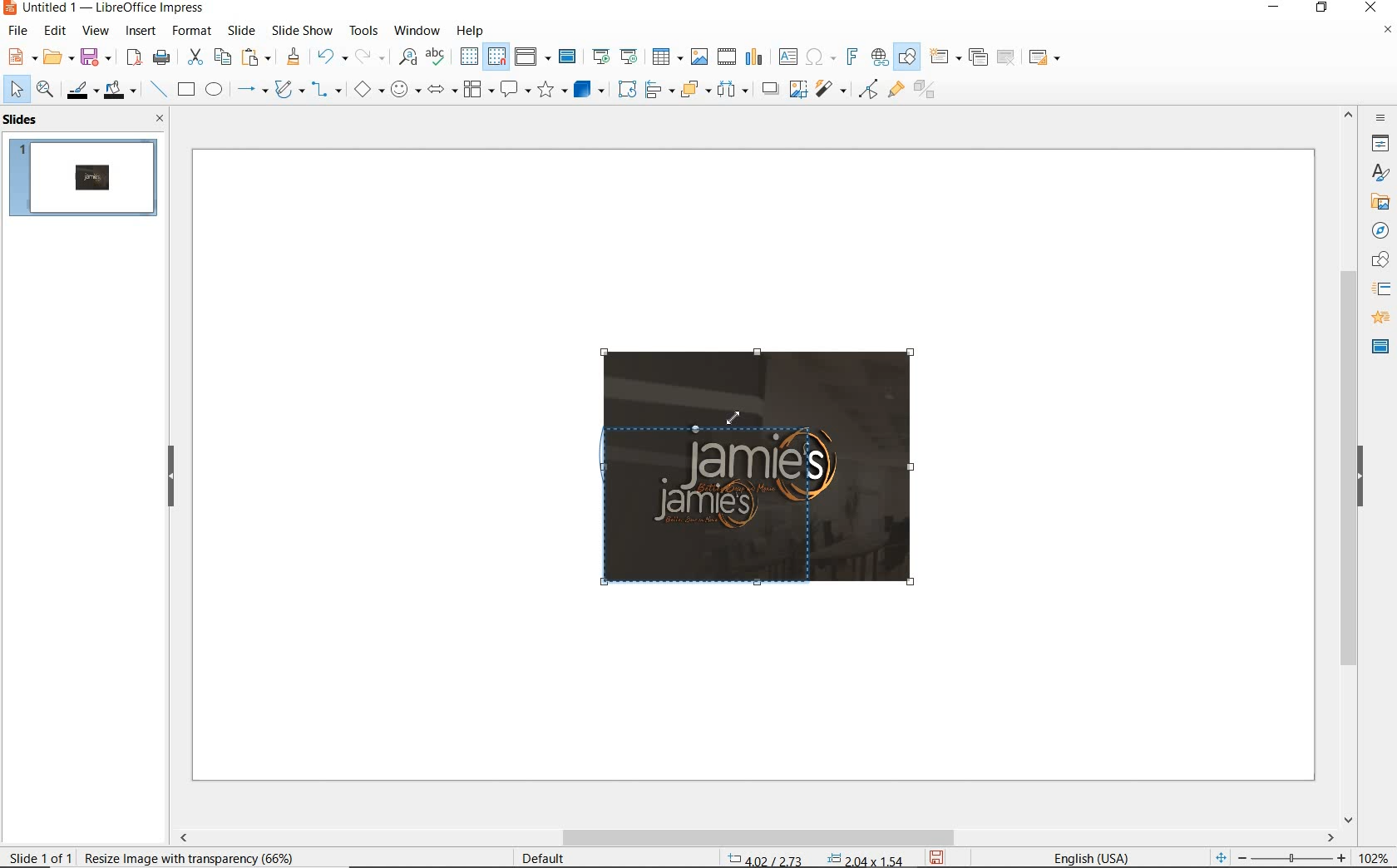 Image resolution: width=1397 pixels, height=868 pixels. What do you see at coordinates (1387, 33) in the screenshot?
I see `close document` at bounding box center [1387, 33].